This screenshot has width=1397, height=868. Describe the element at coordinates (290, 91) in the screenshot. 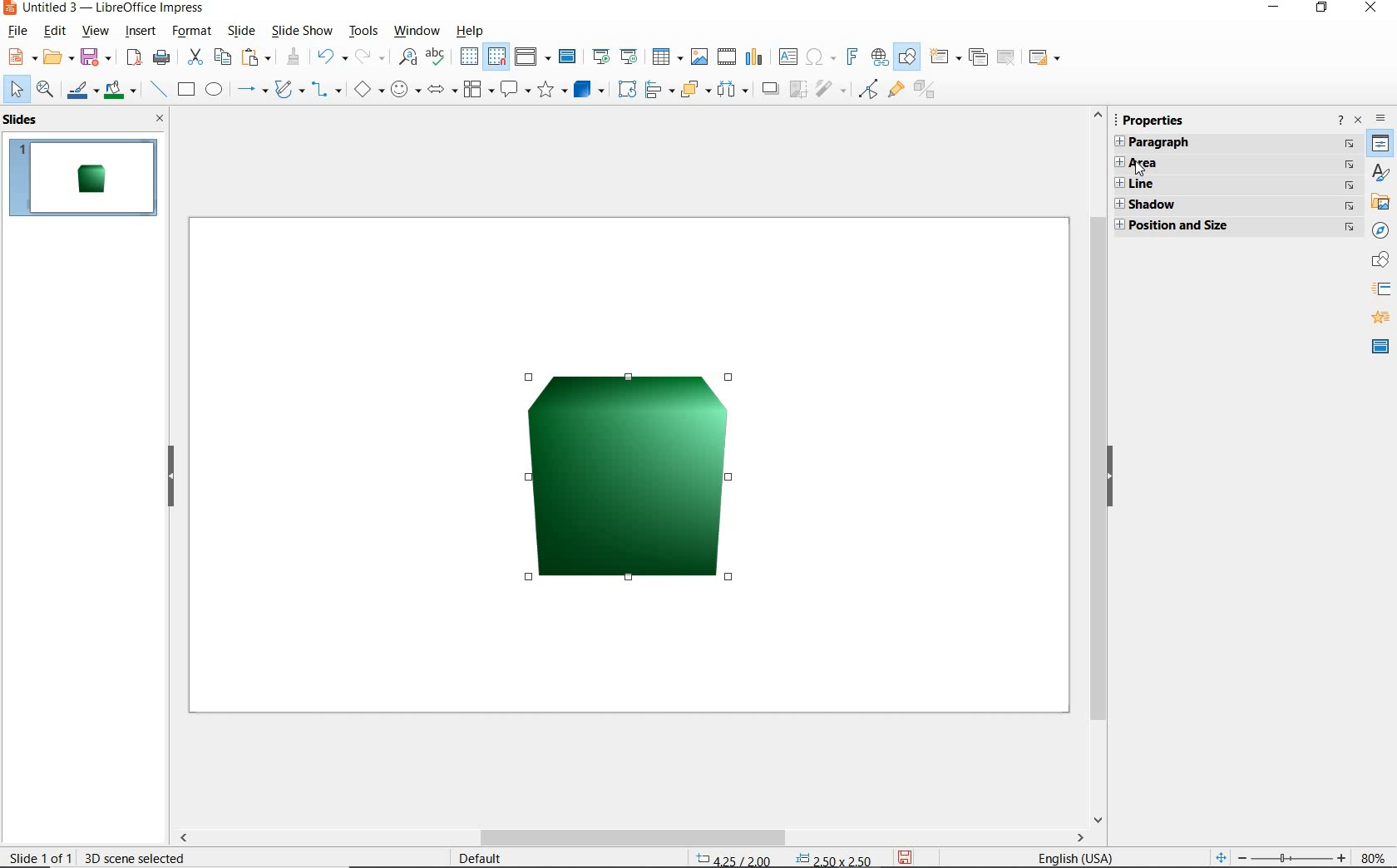

I see `curves and polygons` at that location.